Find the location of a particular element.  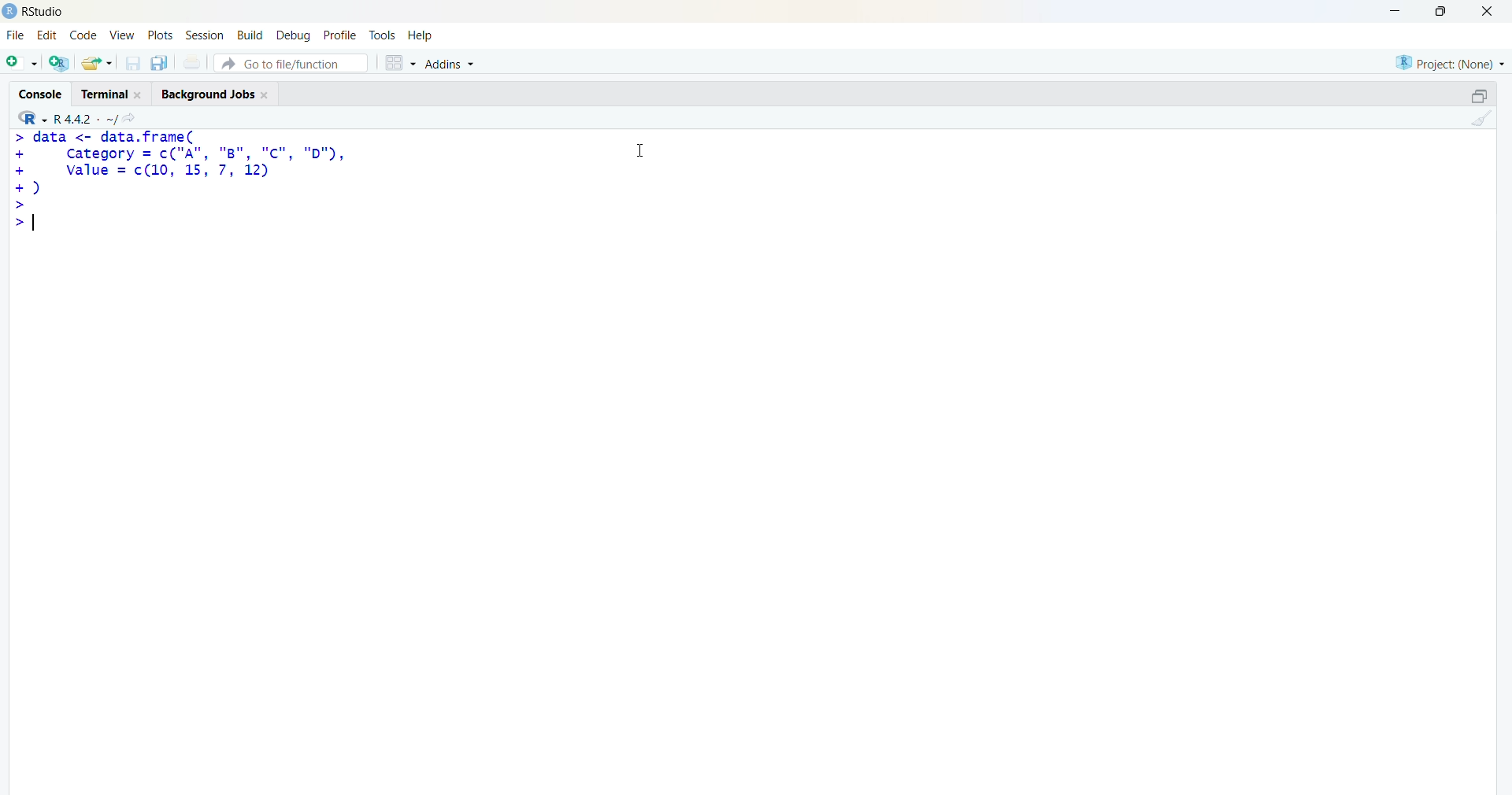

maximize is located at coordinates (1479, 96).